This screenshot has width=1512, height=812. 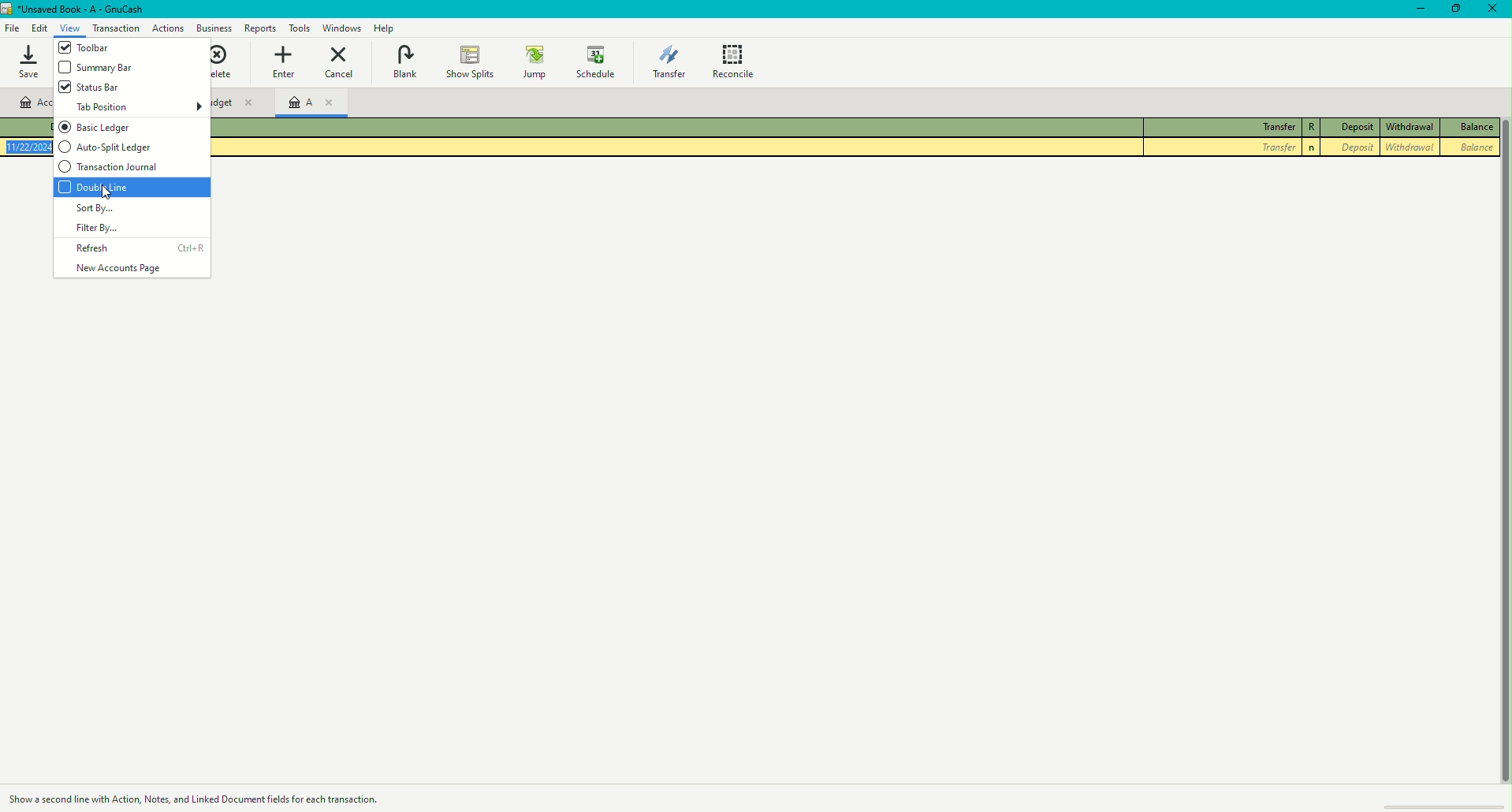 What do you see at coordinates (468, 63) in the screenshot?
I see `Show Splits` at bounding box center [468, 63].